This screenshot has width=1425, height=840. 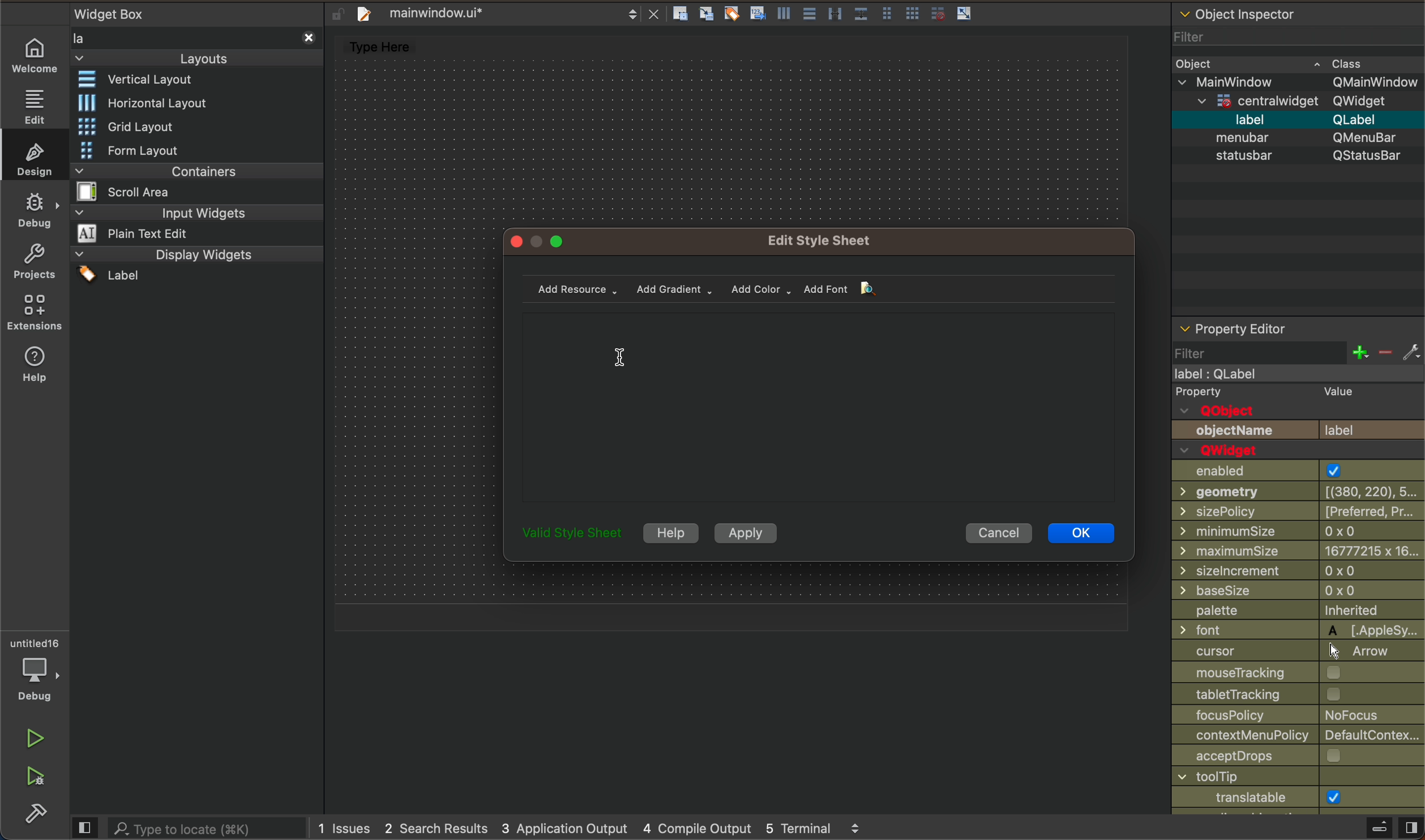 What do you see at coordinates (697, 826) in the screenshot?
I see `4 compile output` at bounding box center [697, 826].